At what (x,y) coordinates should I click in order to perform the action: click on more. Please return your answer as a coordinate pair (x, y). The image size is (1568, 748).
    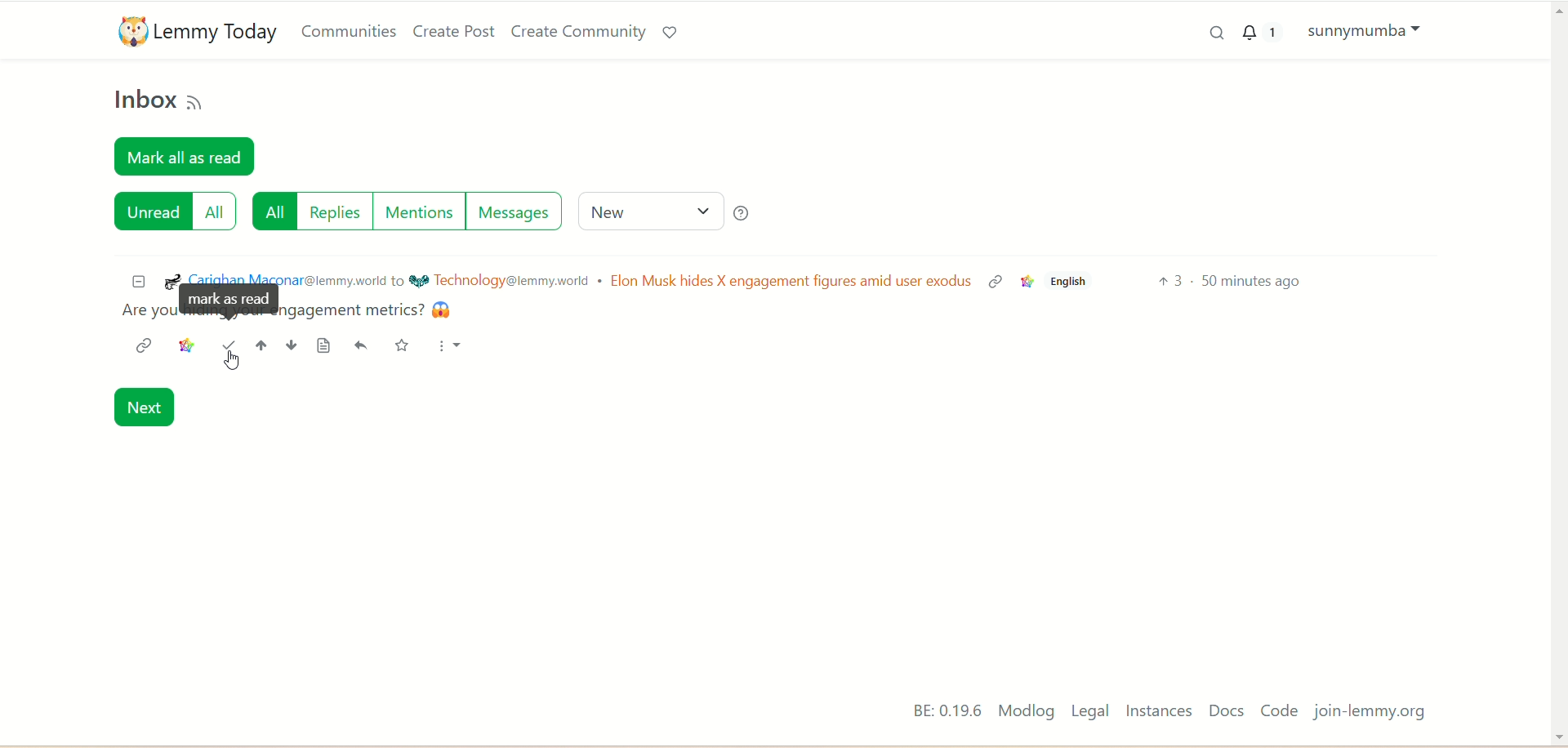
    Looking at the image, I should click on (452, 352).